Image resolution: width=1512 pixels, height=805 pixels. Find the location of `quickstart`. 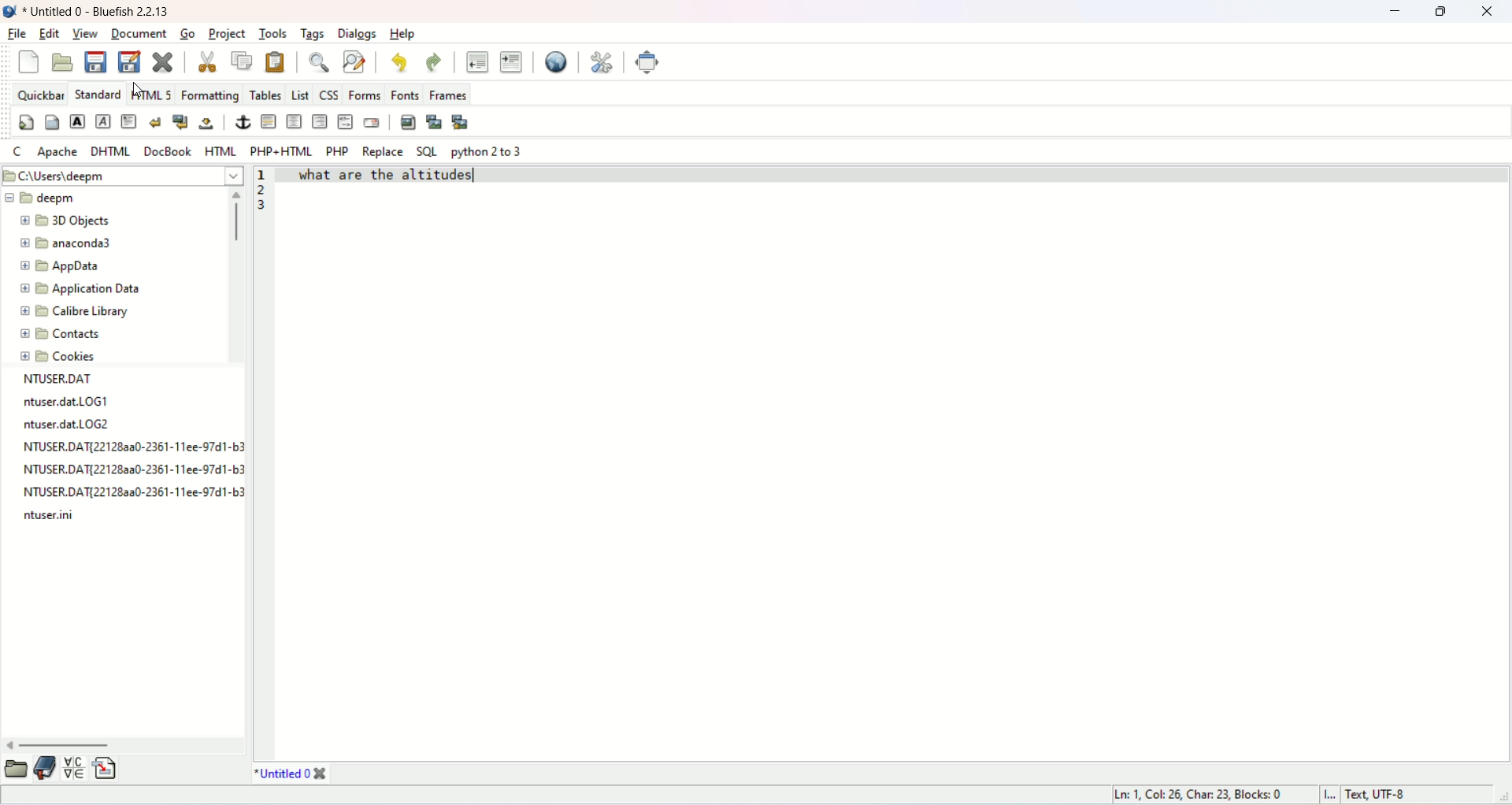

quickstart is located at coordinates (26, 124).